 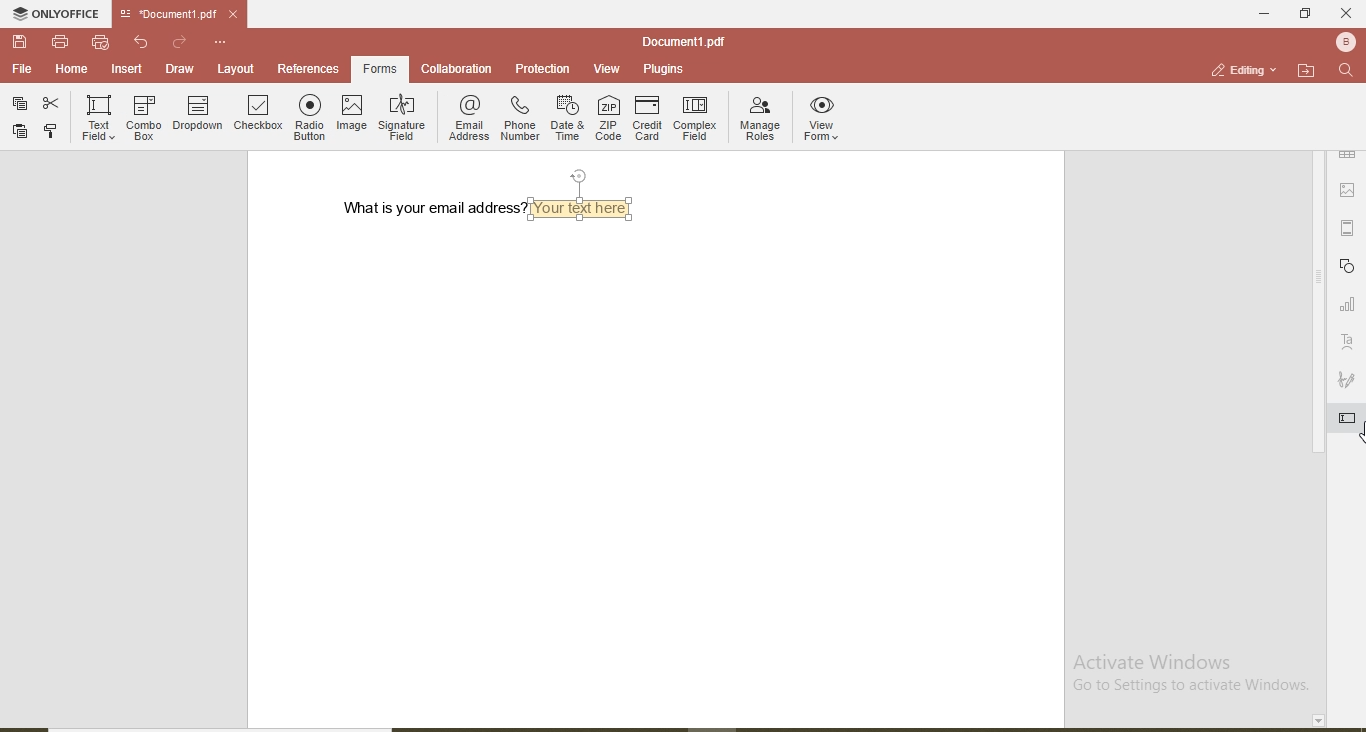 What do you see at coordinates (128, 70) in the screenshot?
I see `insert` at bounding box center [128, 70].